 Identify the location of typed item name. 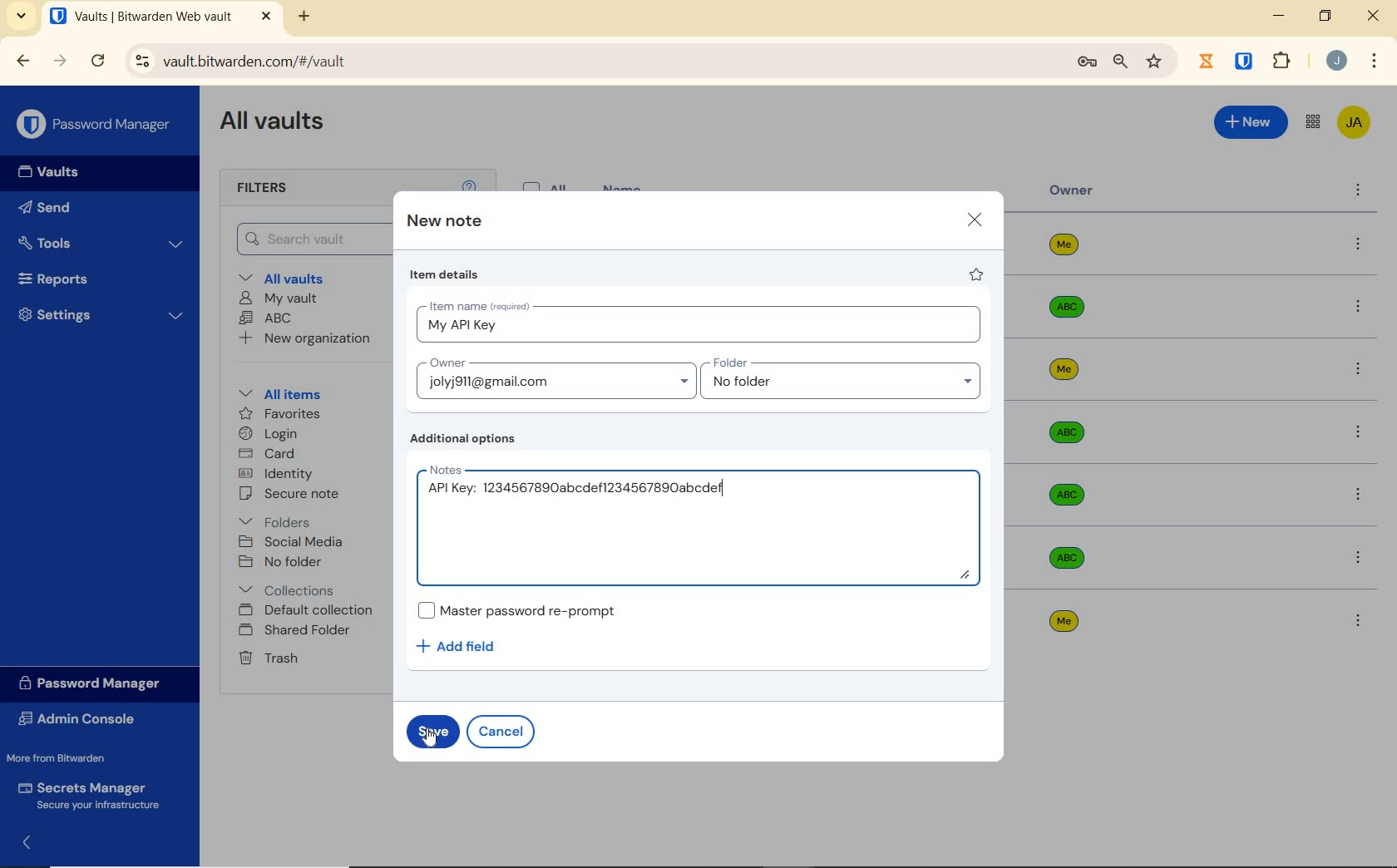
(462, 326).